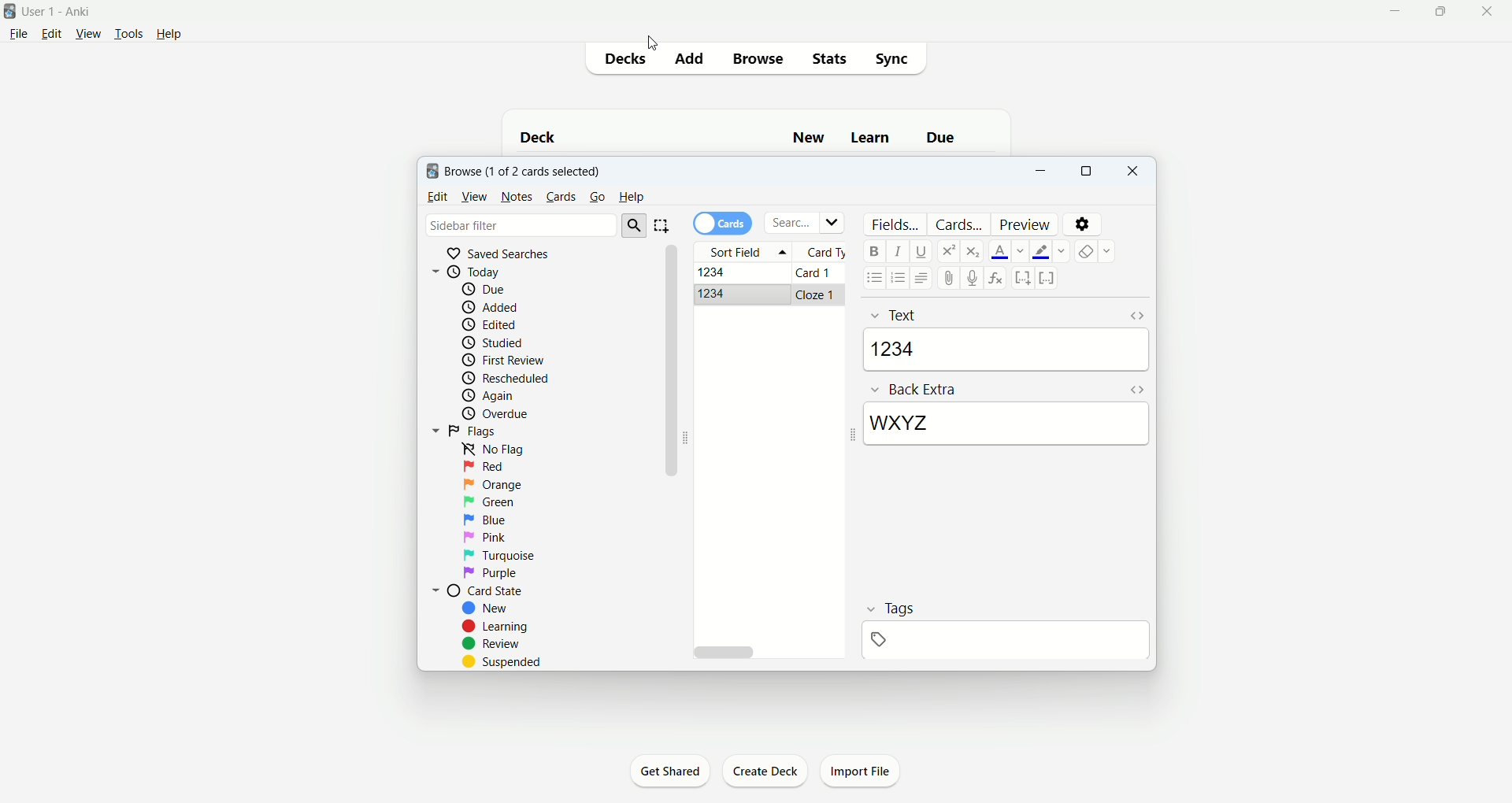 This screenshot has width=1512, height=803. Describe the element at coordinates (873, 277) in the screenshot. I see `unordered list` at that location.